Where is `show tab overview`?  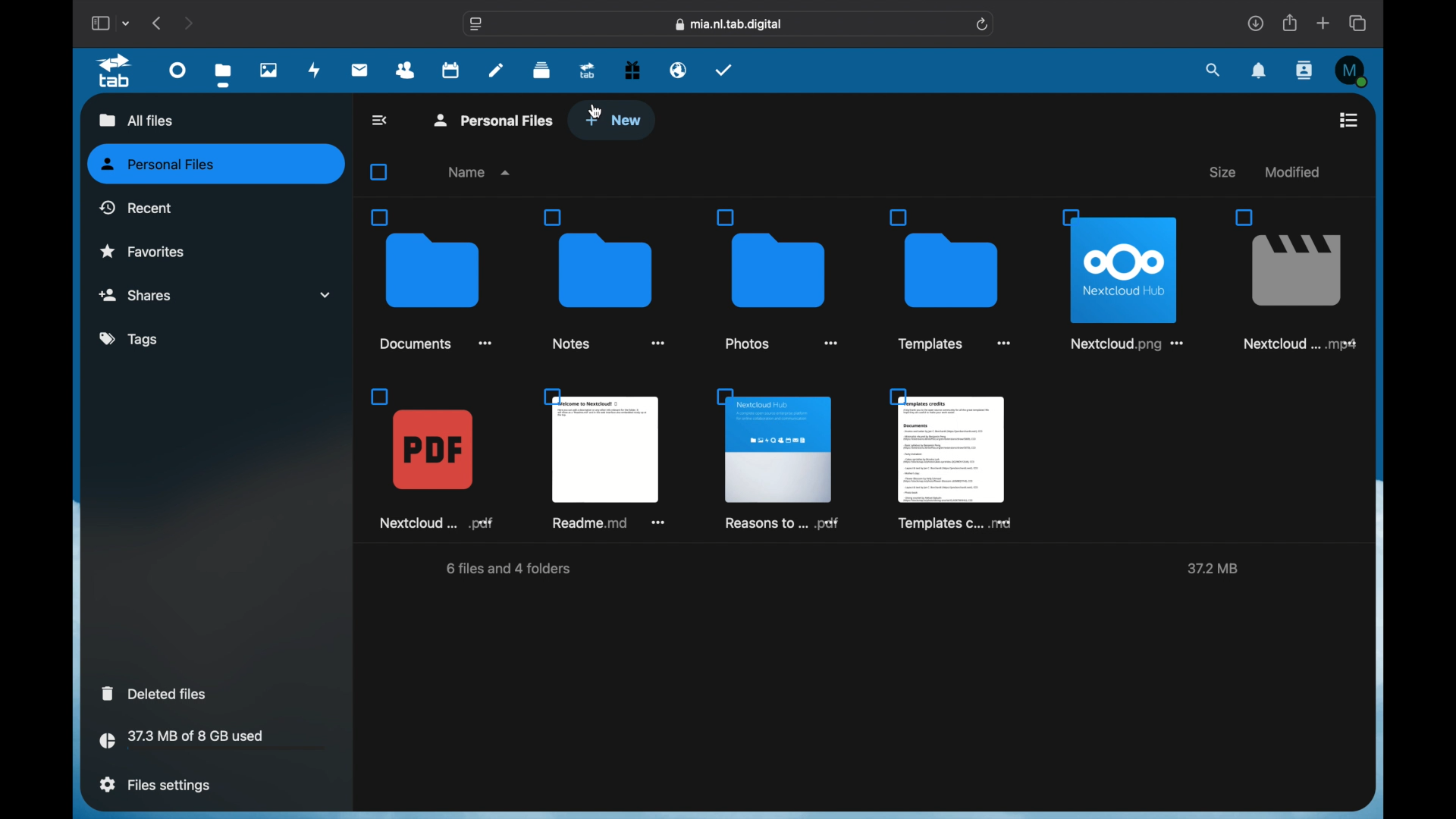 show tab overview is located at coordinates (1359, 23).